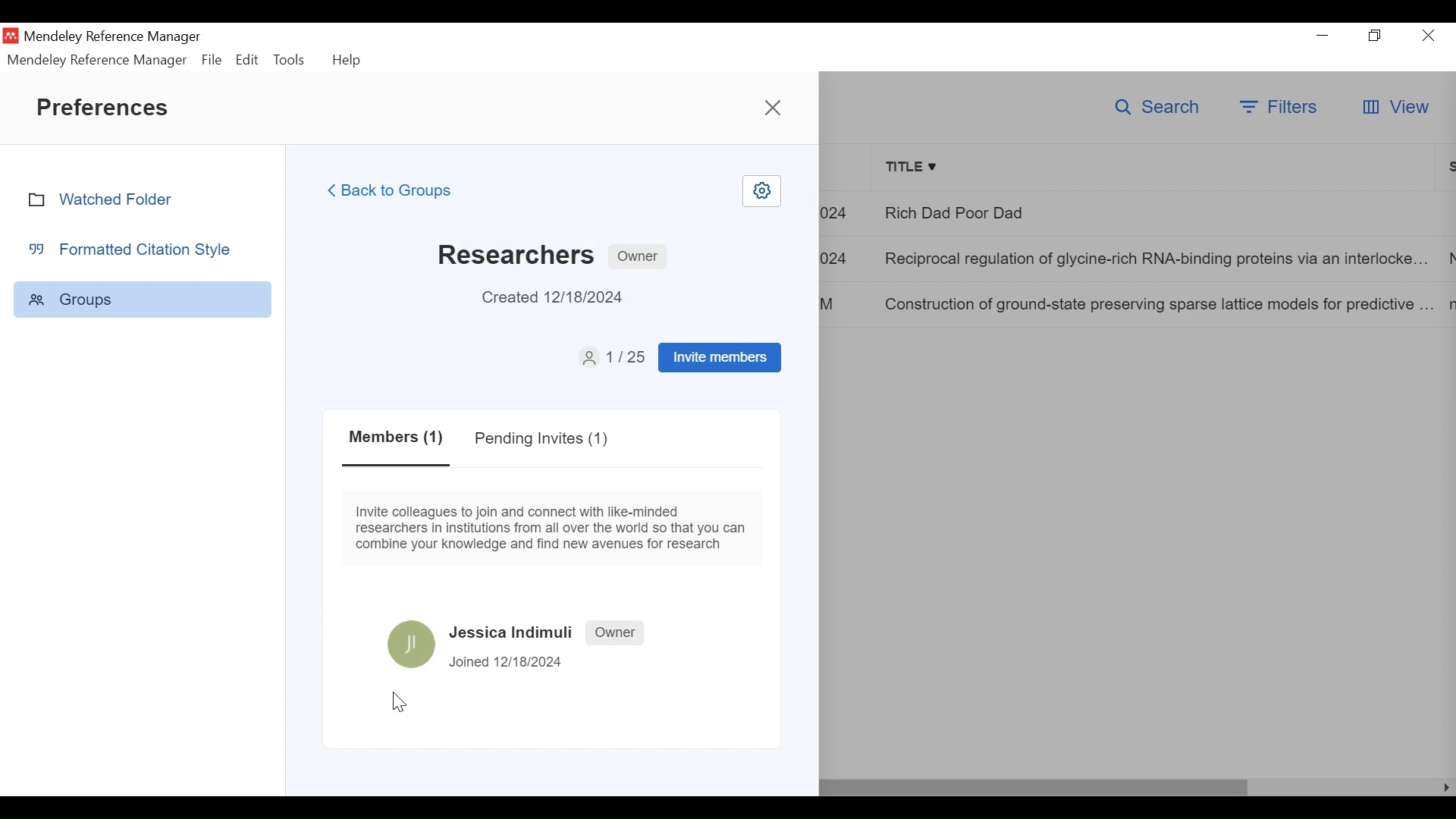 The height and width of the screenshot is (819, 1456). I want to click on Reciprocal regulation of glycine-rich RNA-binding proteins via an interlocked.., so click(1159, 257).